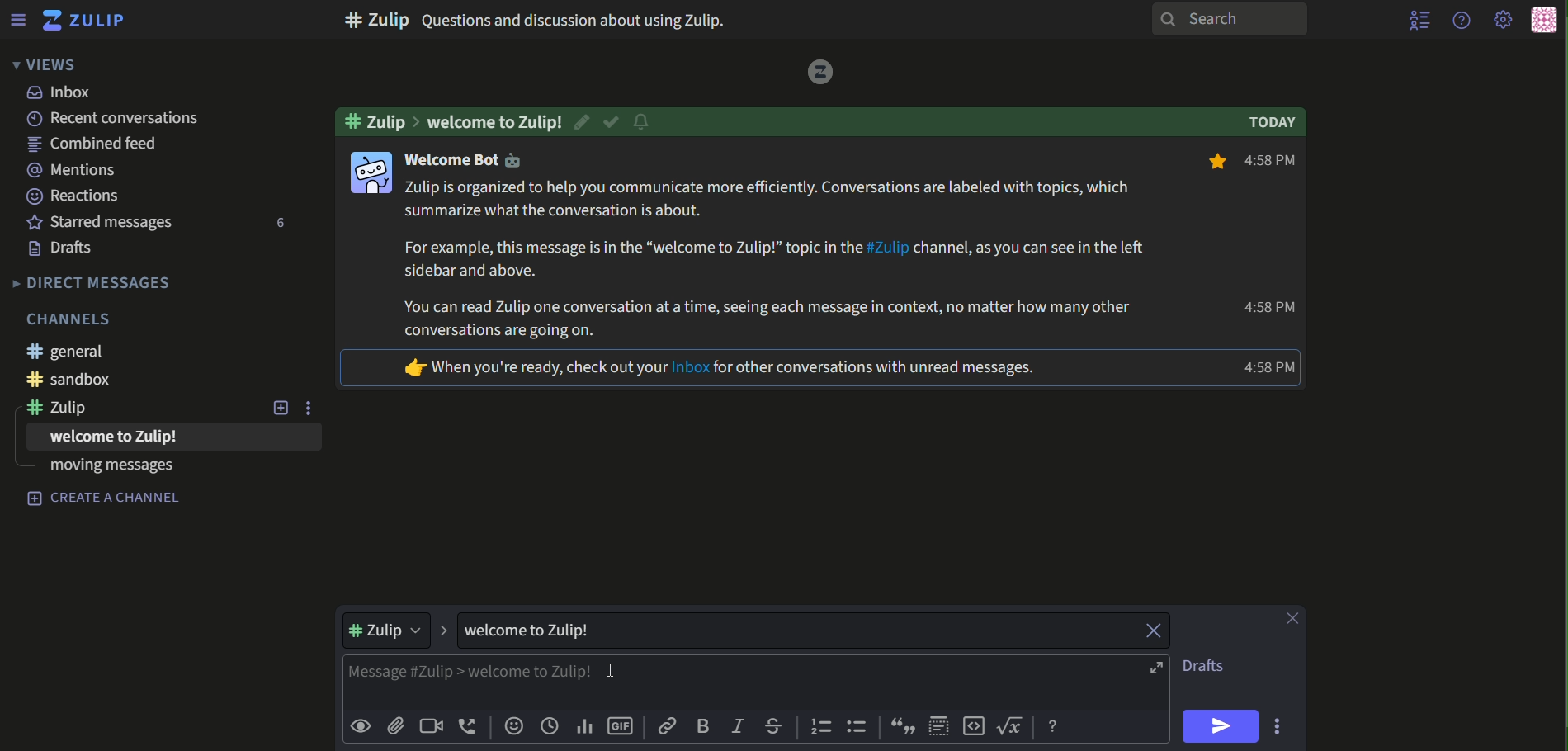 The image size is (1568, 751). Describe the element at coordinates (469, 726) in the screenshot. I see `add voice call` at that location.